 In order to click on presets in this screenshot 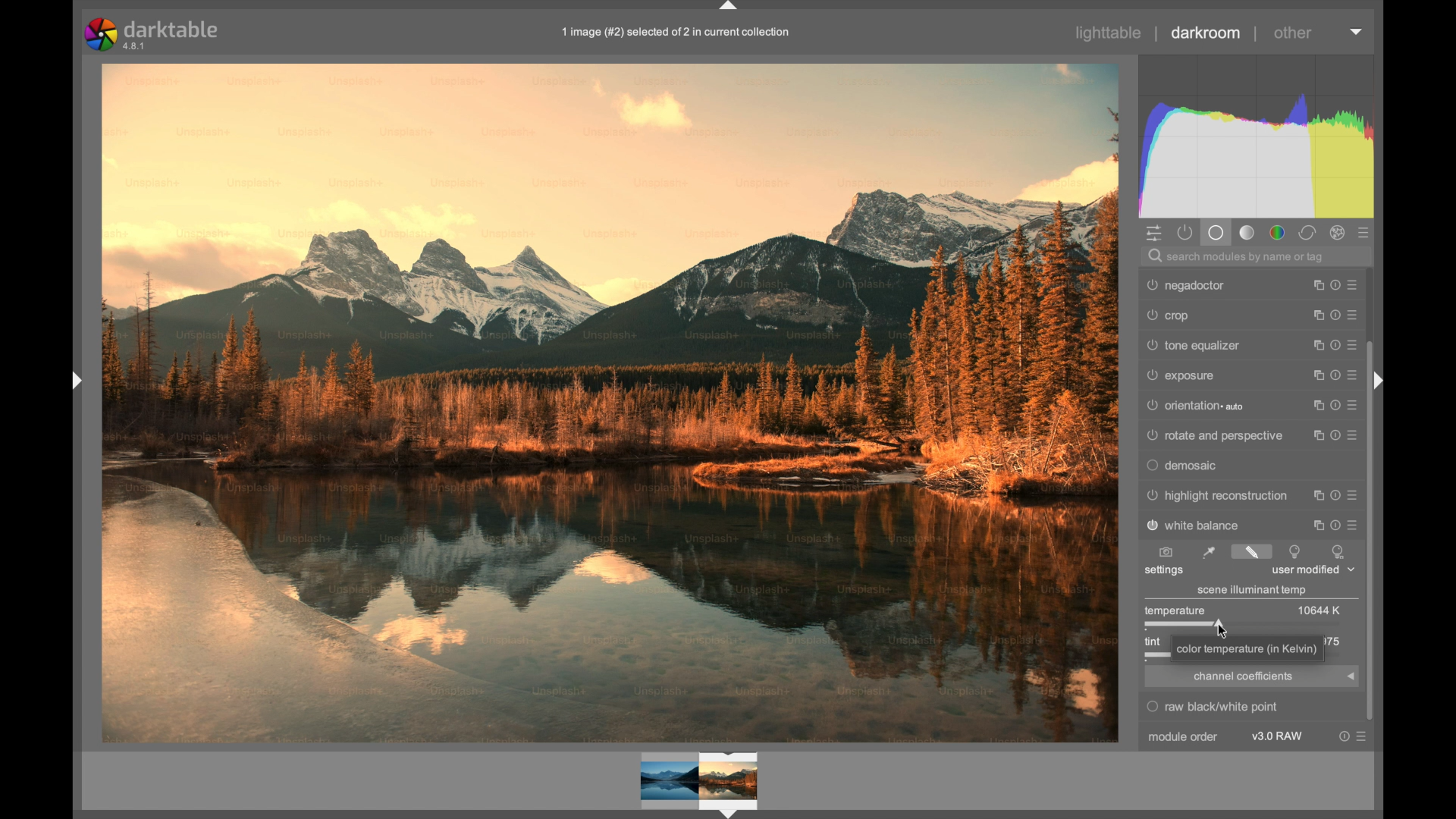, I will do `click(1357, 491)`.